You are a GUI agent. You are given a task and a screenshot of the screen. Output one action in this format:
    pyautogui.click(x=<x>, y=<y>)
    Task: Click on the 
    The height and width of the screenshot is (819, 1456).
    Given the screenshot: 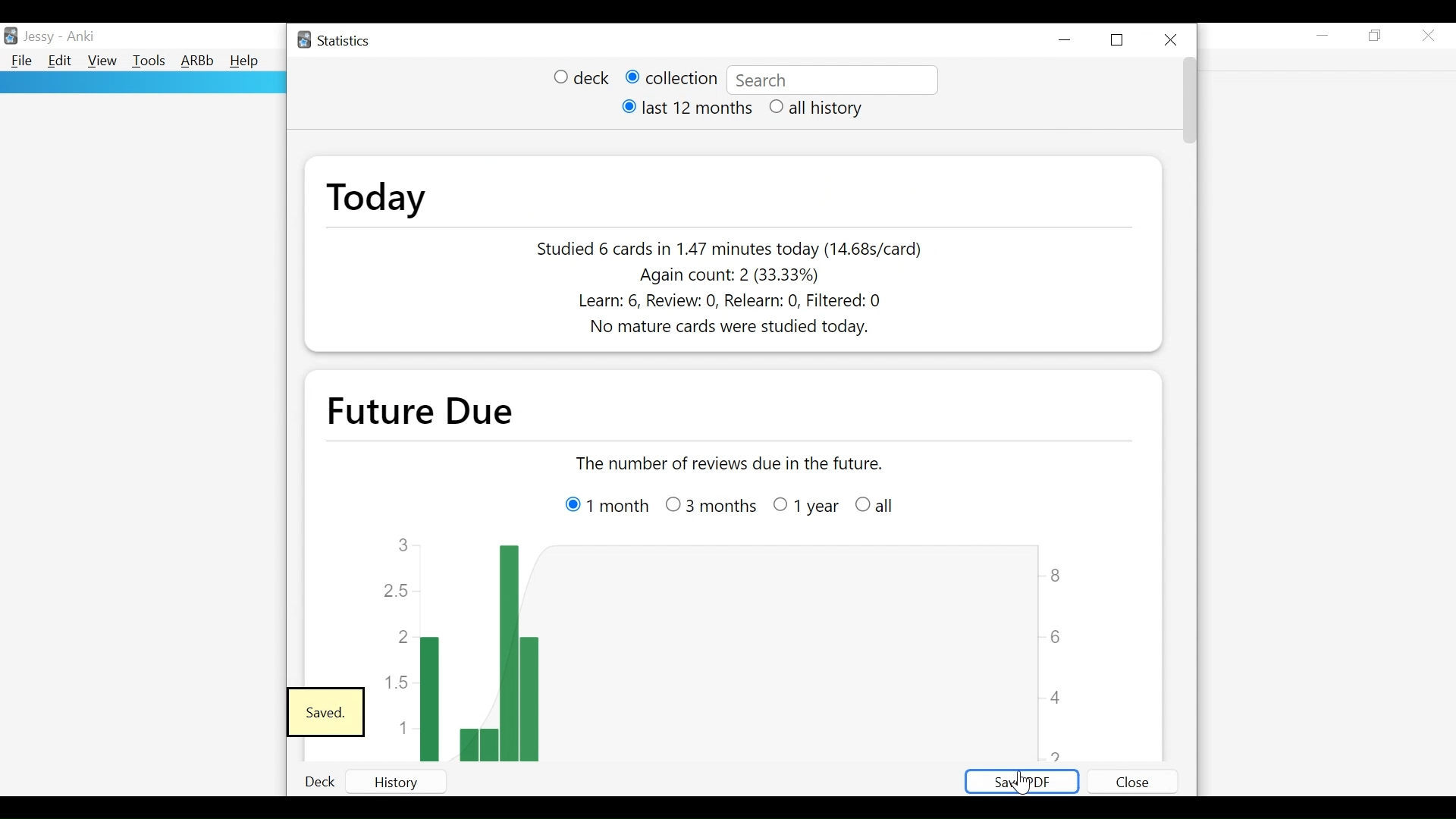 What is the action you would take?
    pyautogui.click(x=805, y=508)
    